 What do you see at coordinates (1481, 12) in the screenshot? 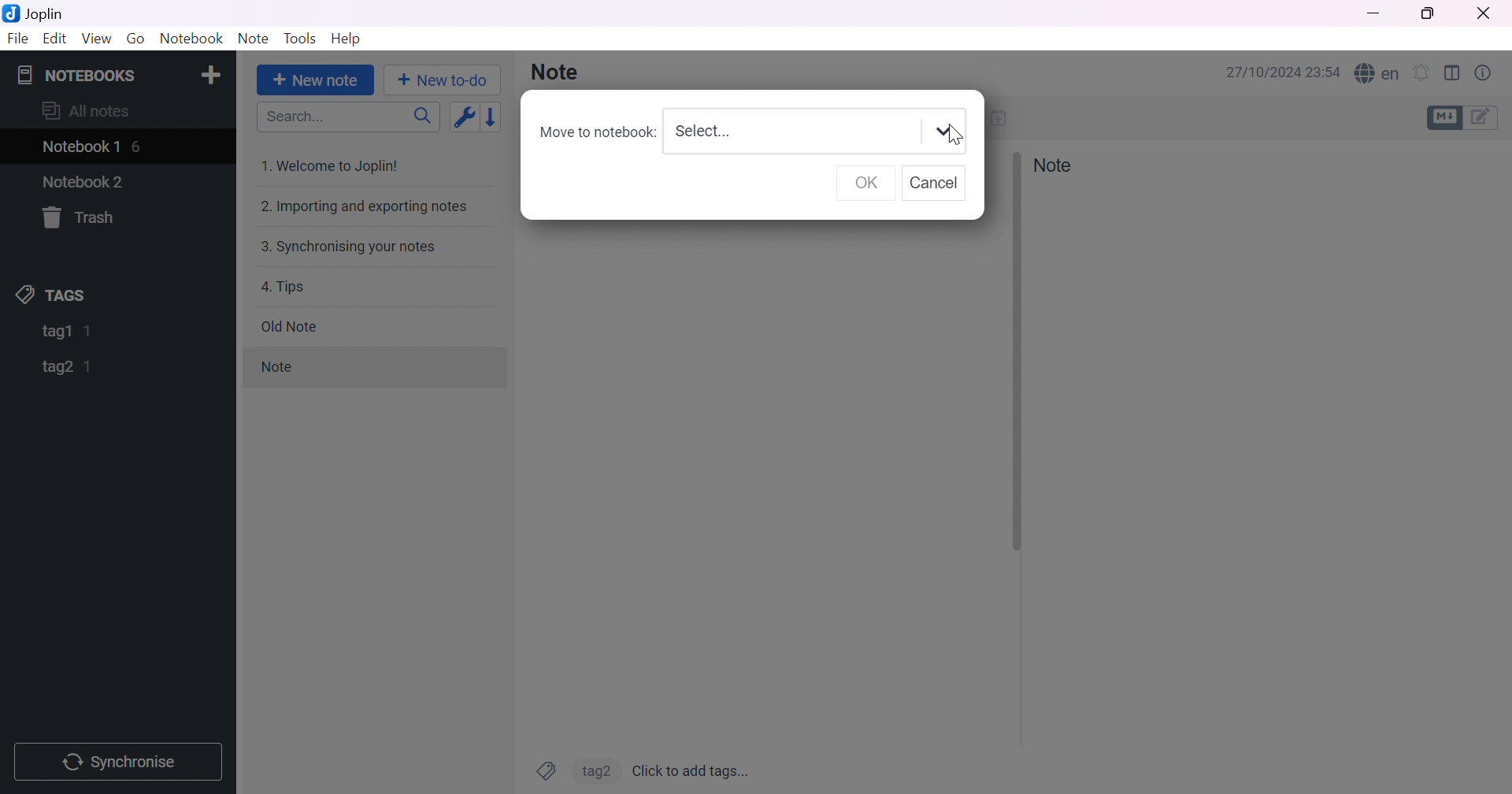
I see `Close` at bounding box center [1481, 12].